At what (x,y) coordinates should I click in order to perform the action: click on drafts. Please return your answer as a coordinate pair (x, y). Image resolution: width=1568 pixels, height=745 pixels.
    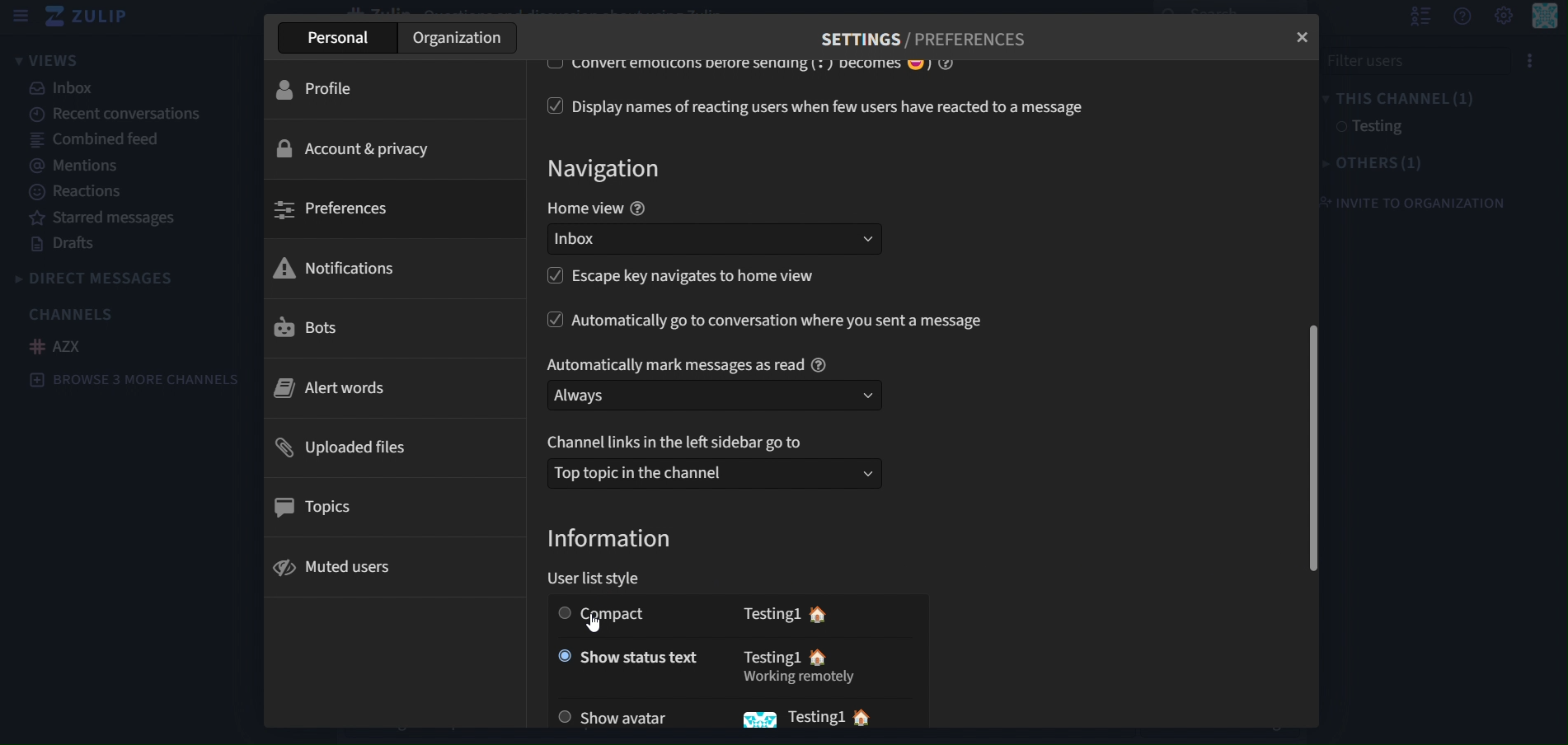
    Looking at the image, I should click on (61, 244).